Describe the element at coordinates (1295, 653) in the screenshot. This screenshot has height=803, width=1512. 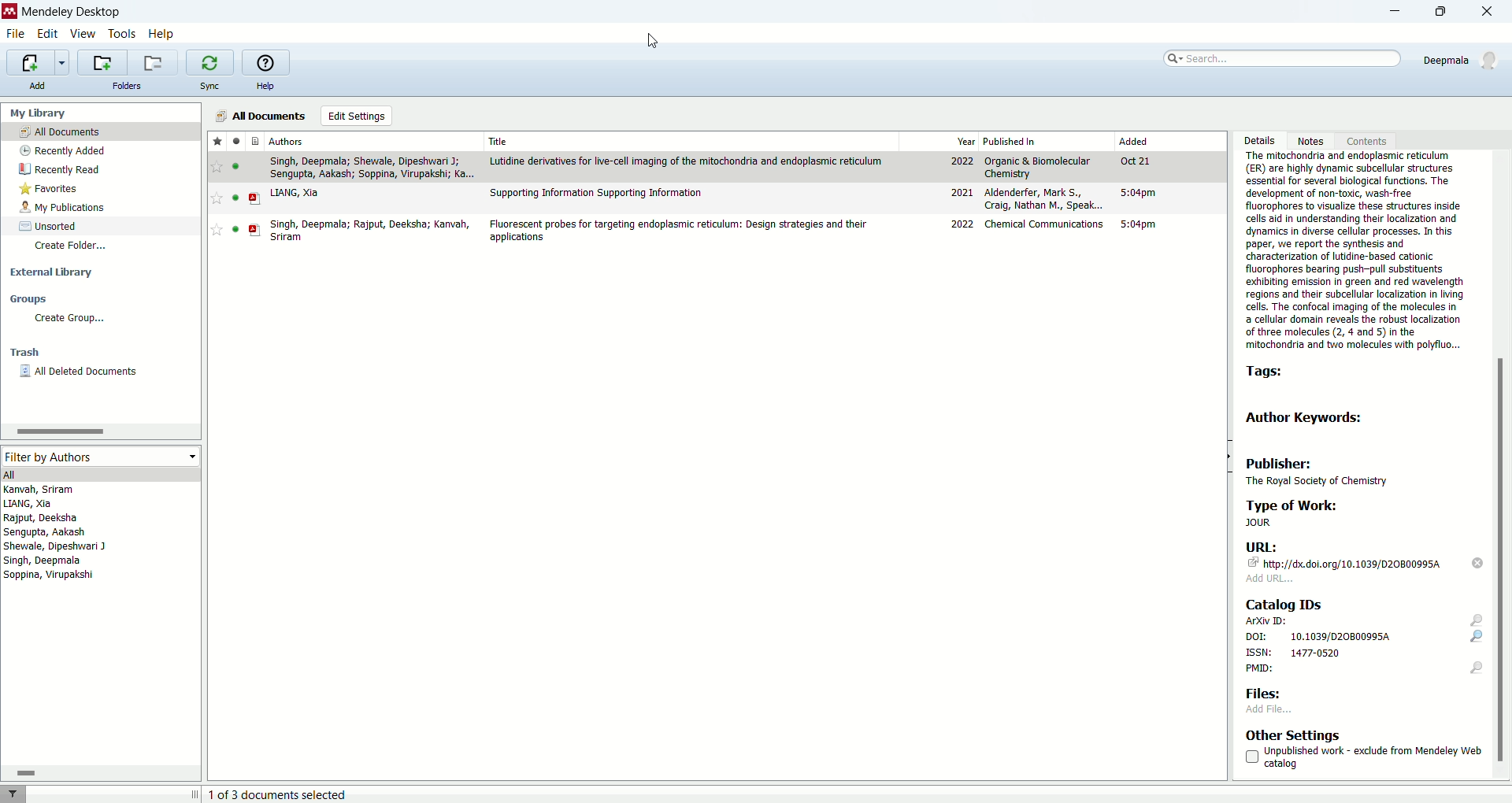
I see `ISSN: 1477-0520` at that location.